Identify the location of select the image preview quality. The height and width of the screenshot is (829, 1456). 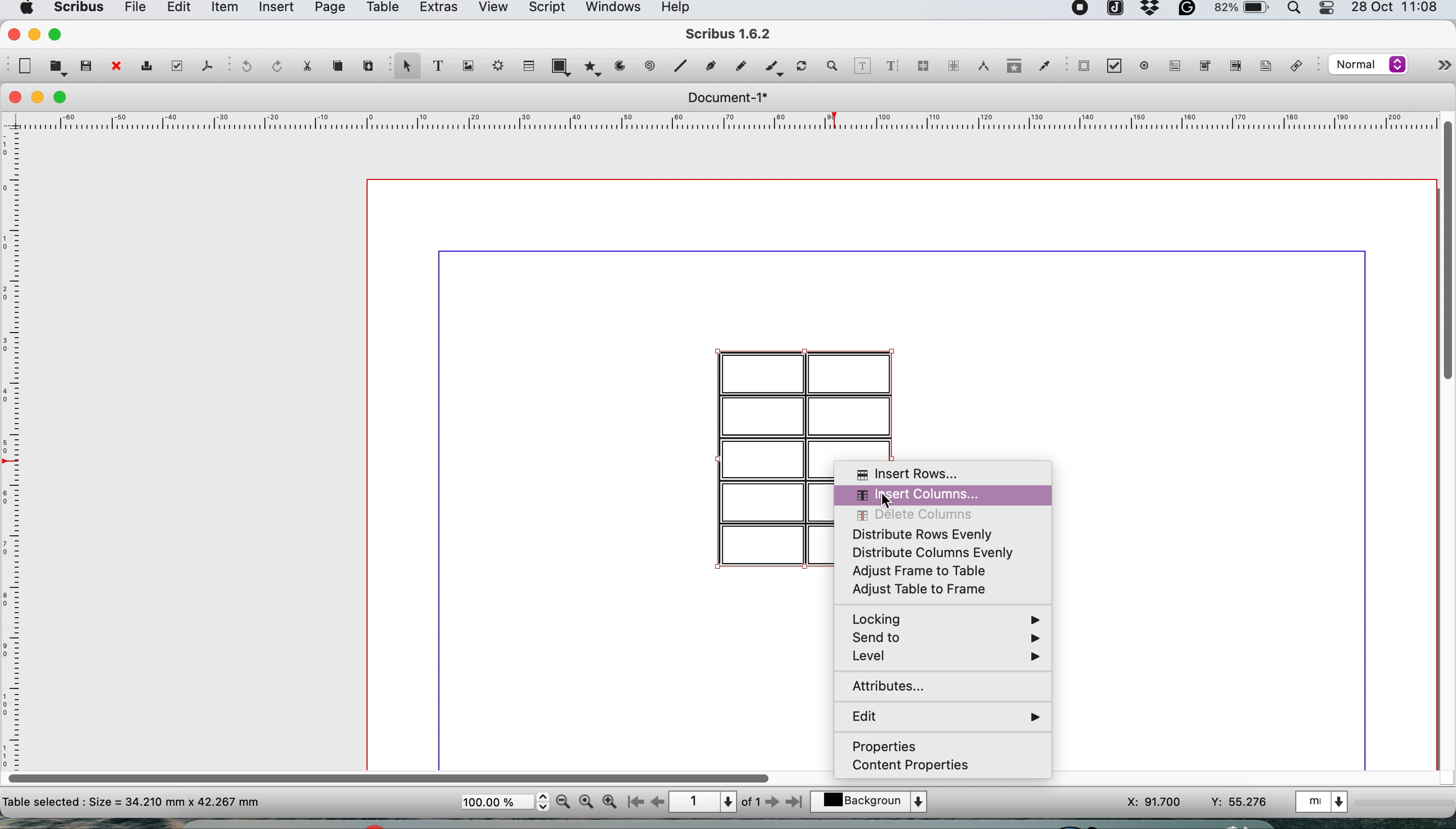
(1365, 64).